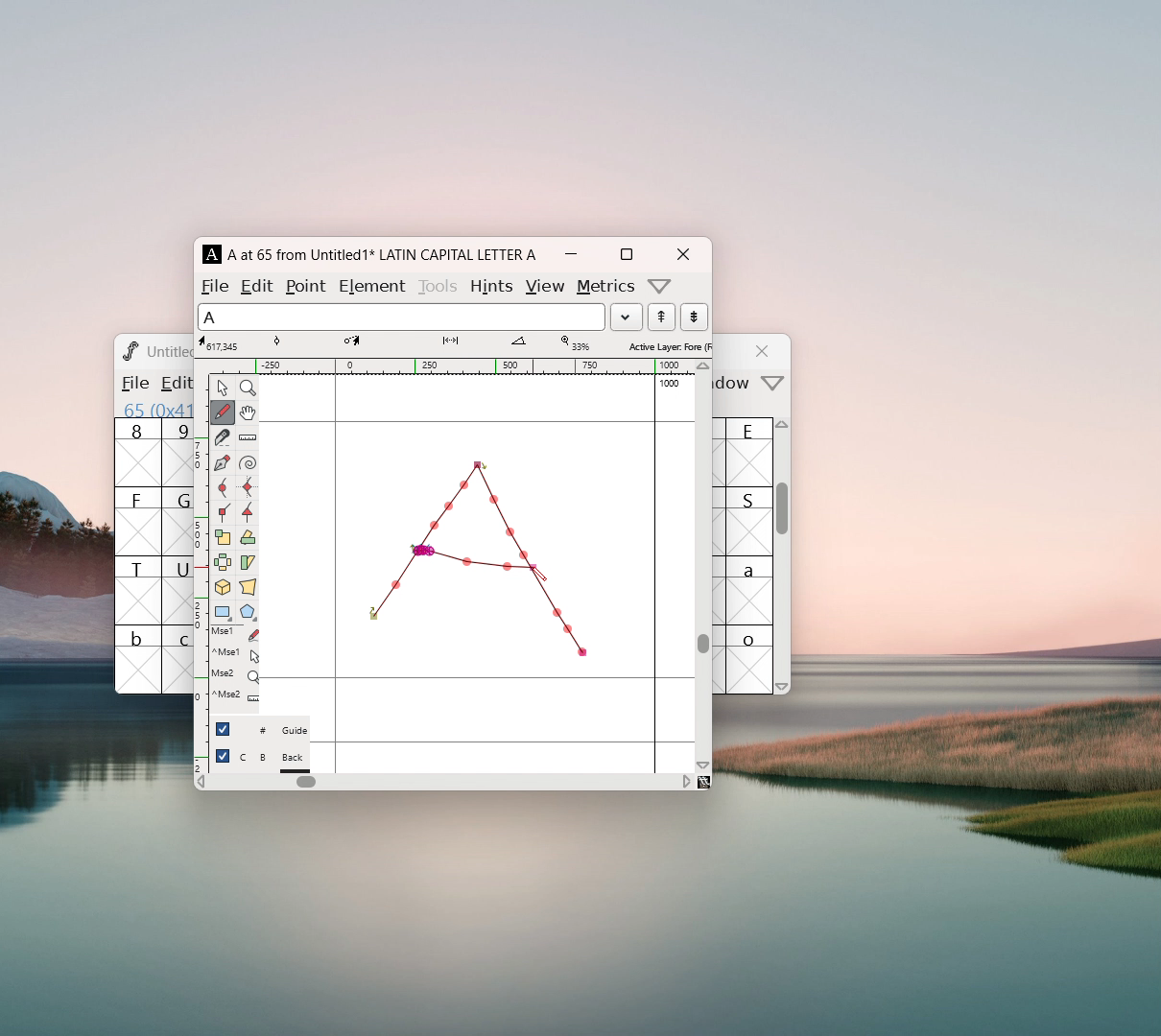 This screenshot has width=1161, height=1036. Describe the element at coordinates (224, 613) in the screenshot. I see `rectangle or ellipse` at that location.